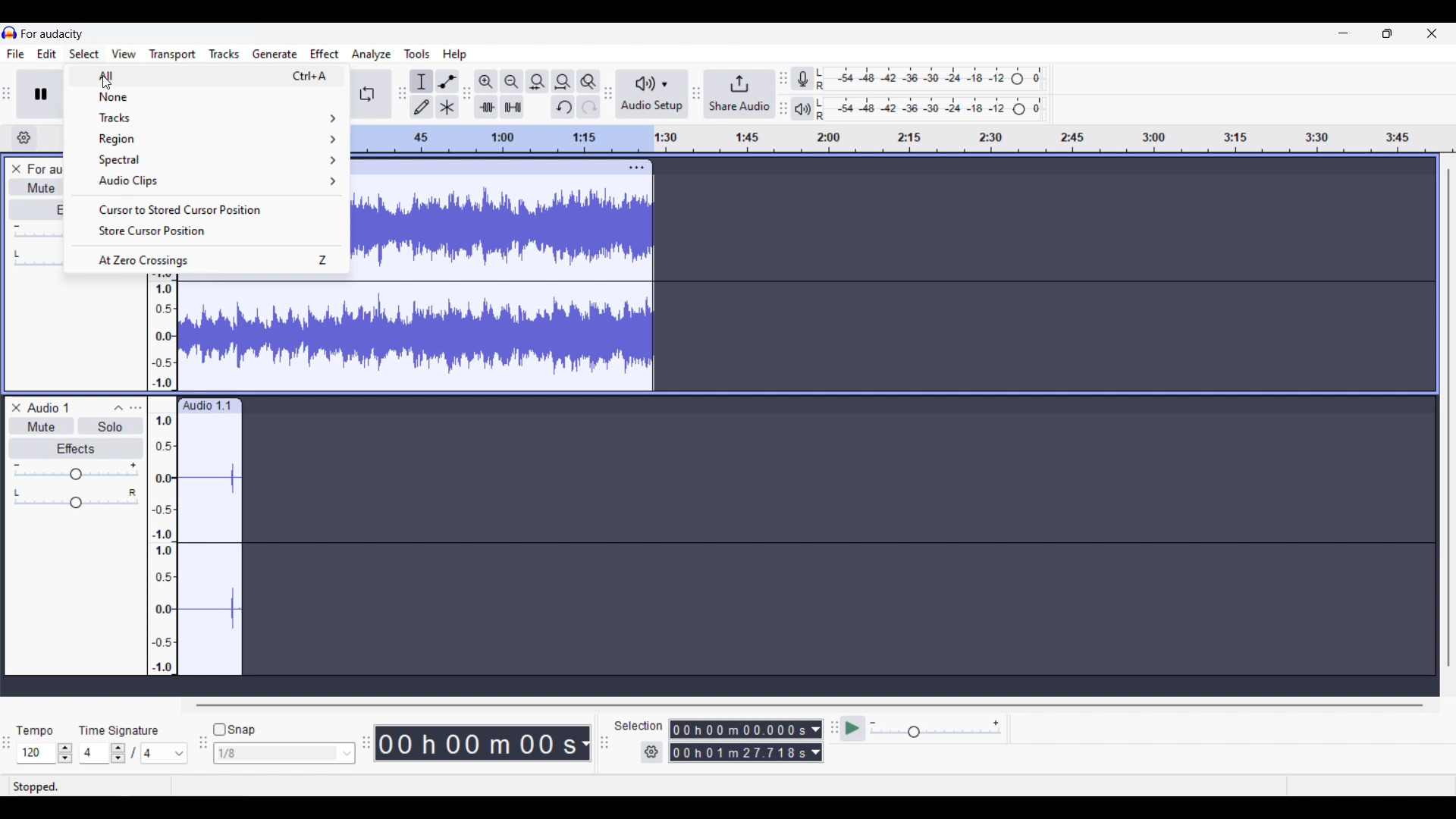 This screenshot has height=819, width=1456. I want to click on Volume slider, so click(36, 232).